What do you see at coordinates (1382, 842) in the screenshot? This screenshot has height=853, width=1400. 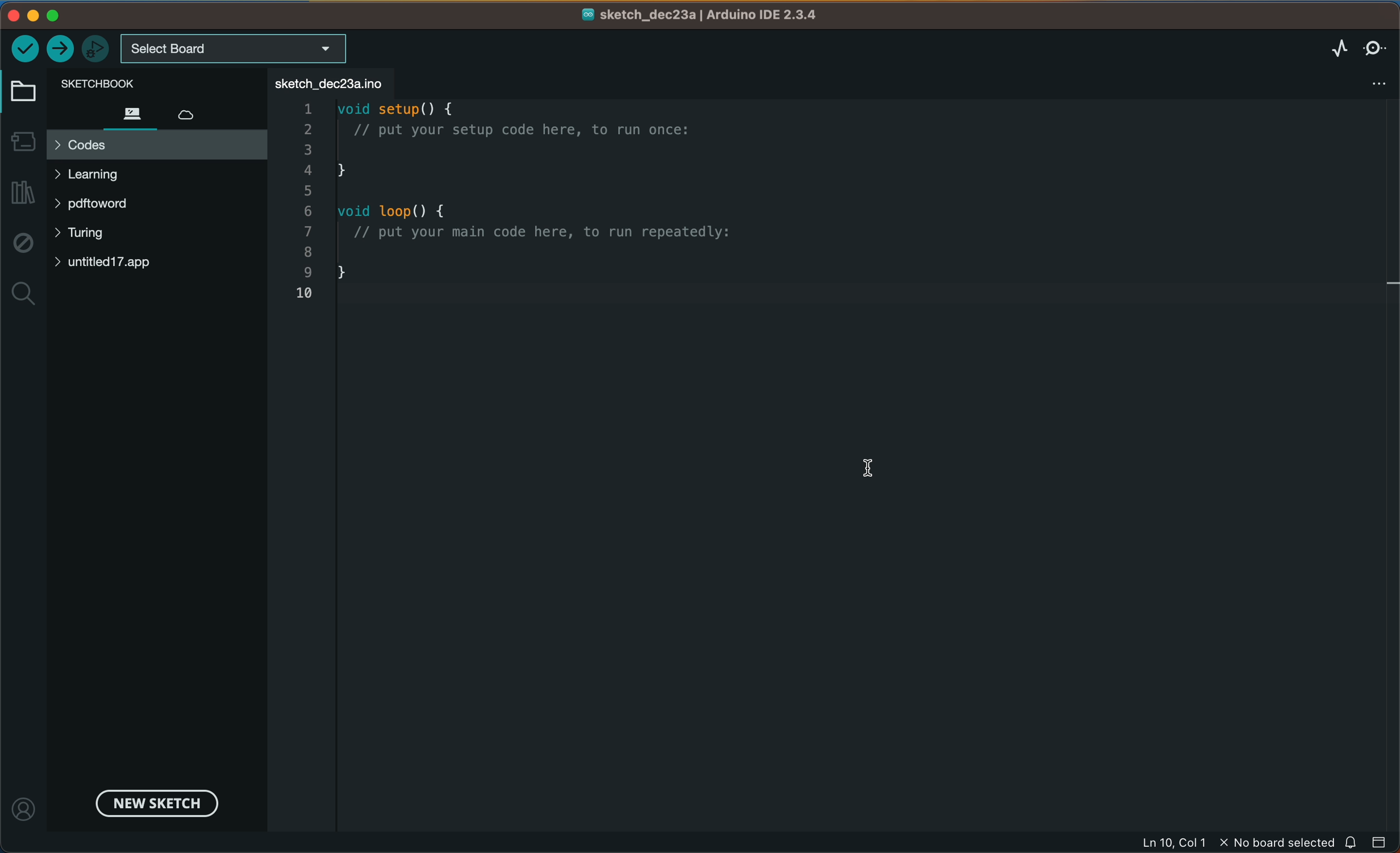 I see `close slide bar` at bounding box center [1382, 842].